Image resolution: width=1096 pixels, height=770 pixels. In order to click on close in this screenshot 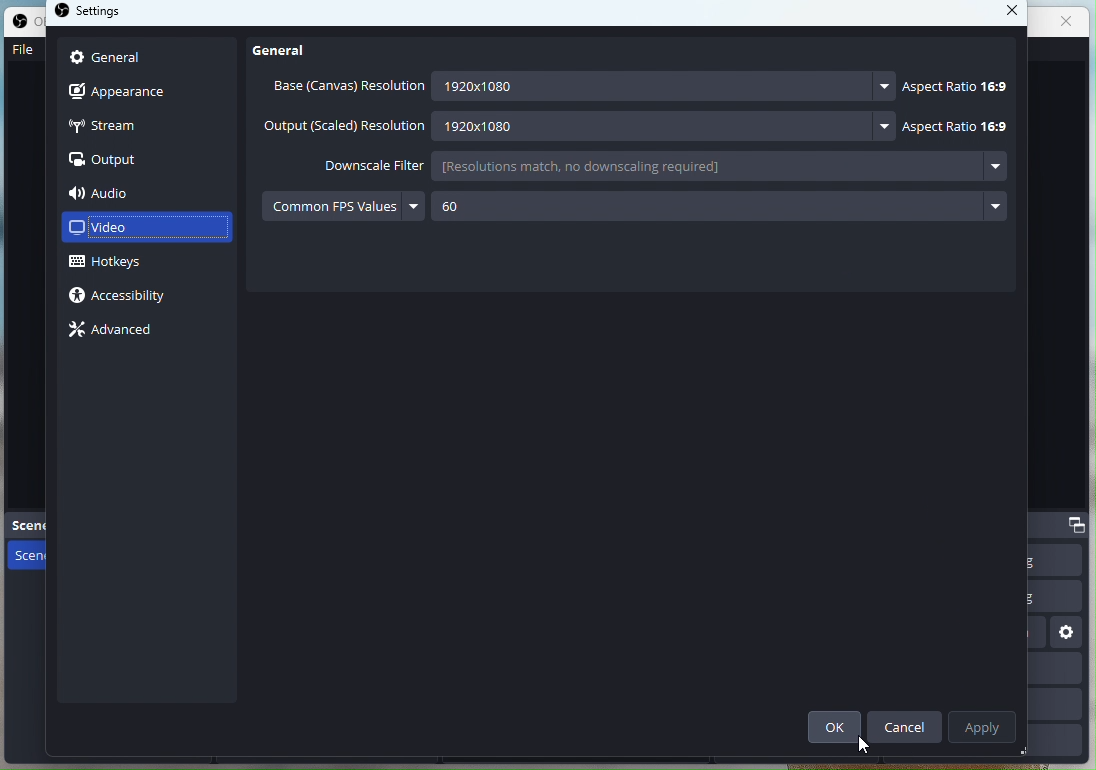, I will do `click(1008, 13)`.